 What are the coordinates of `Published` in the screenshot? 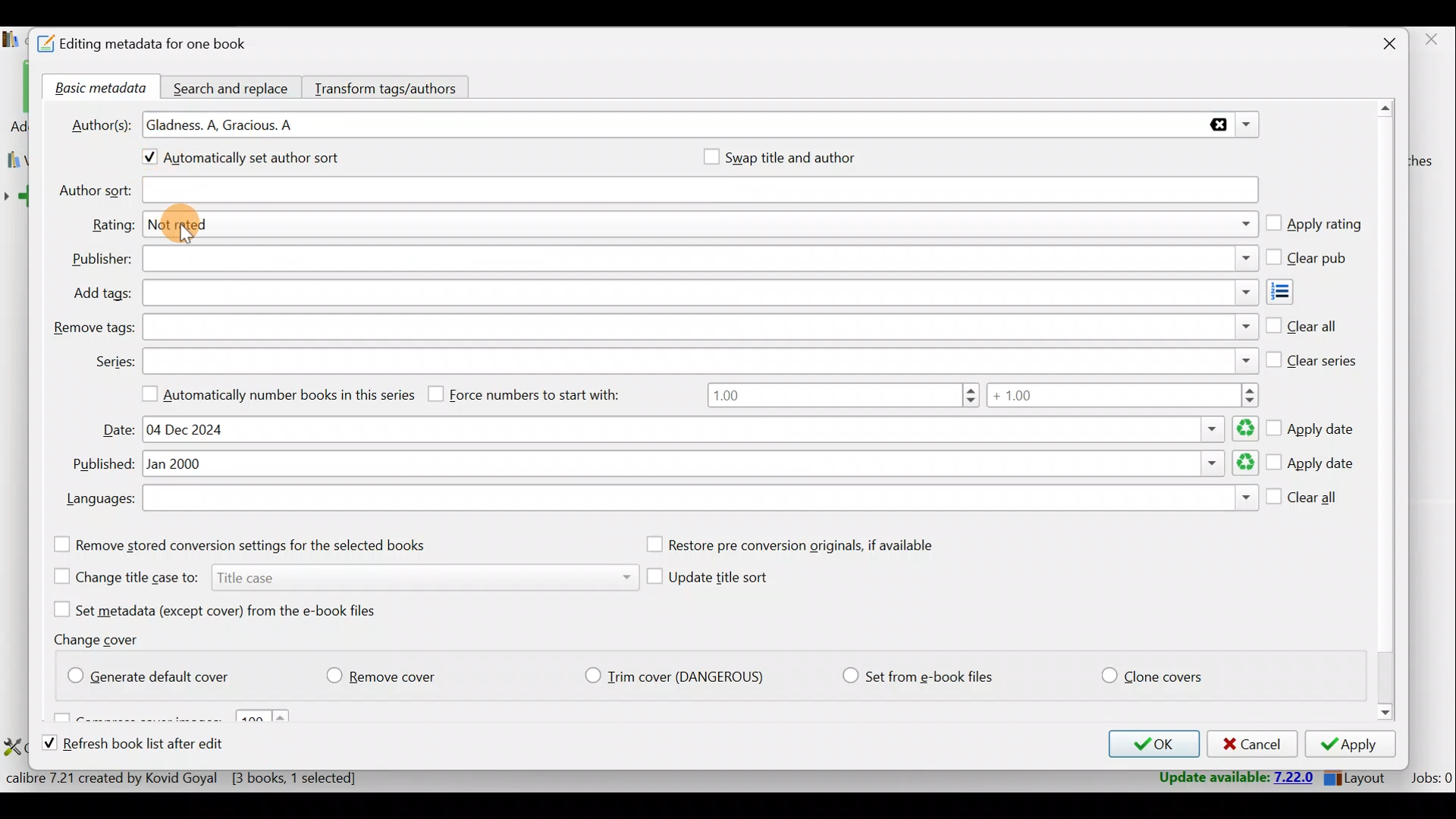 It's located at (701, 465).